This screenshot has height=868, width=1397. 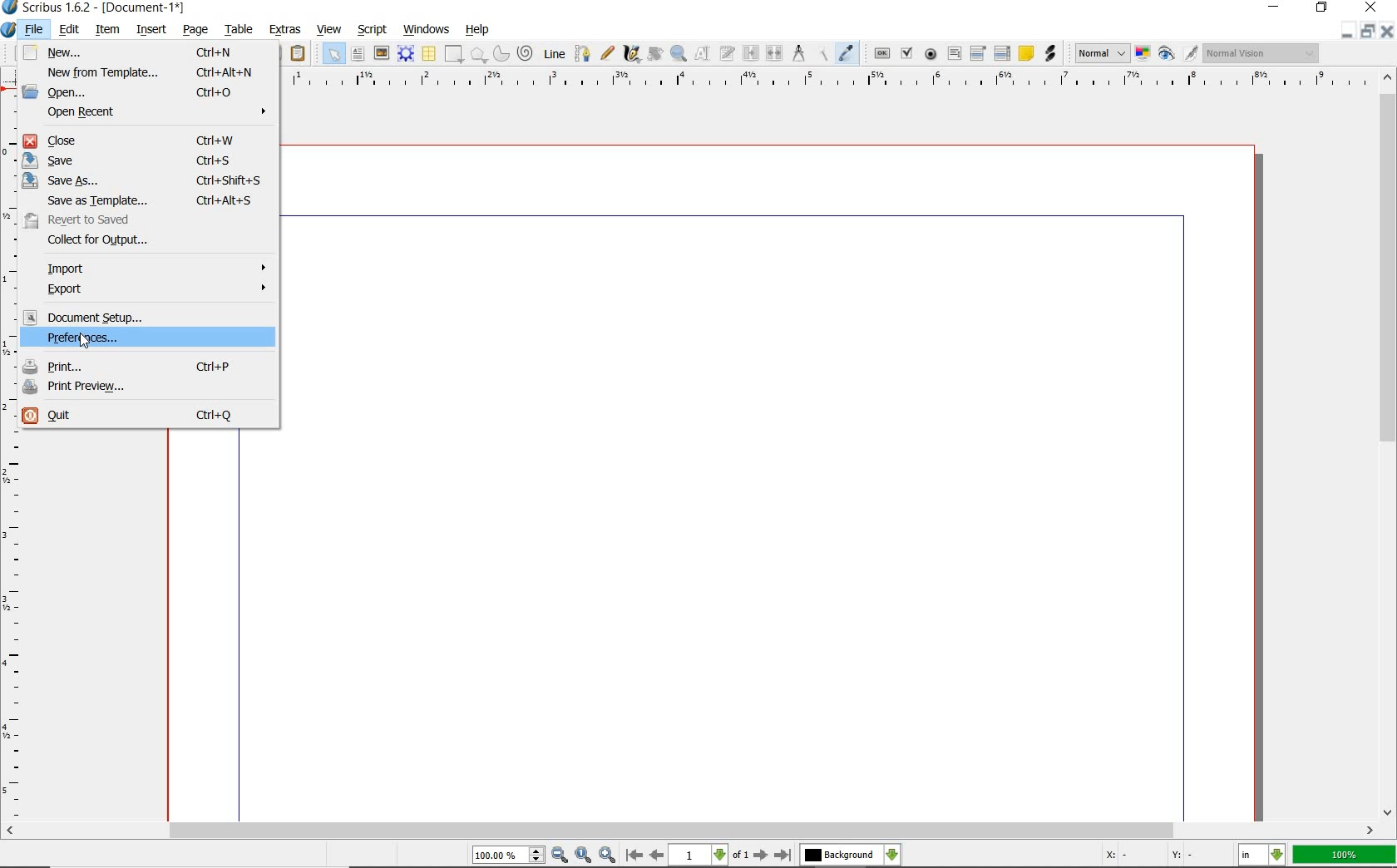 What do you see at coordinates (608, 53) in the screenshot?
I see `freehand line` at bounding box center [608, 53].